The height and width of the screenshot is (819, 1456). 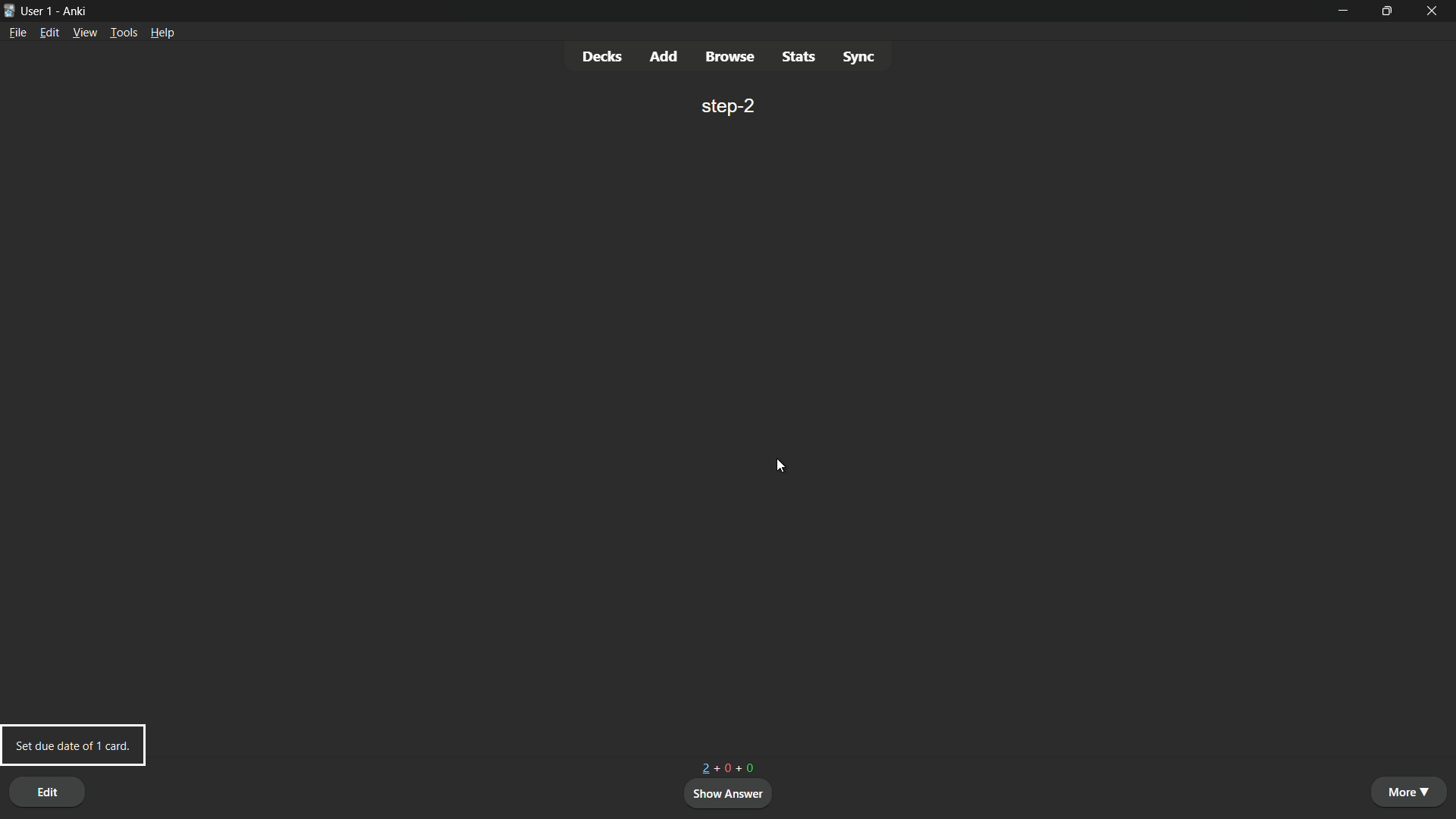 What do you see at coordinates (798, 56) in the screenshot?
I see `stats` at bounding box center [798, 56].